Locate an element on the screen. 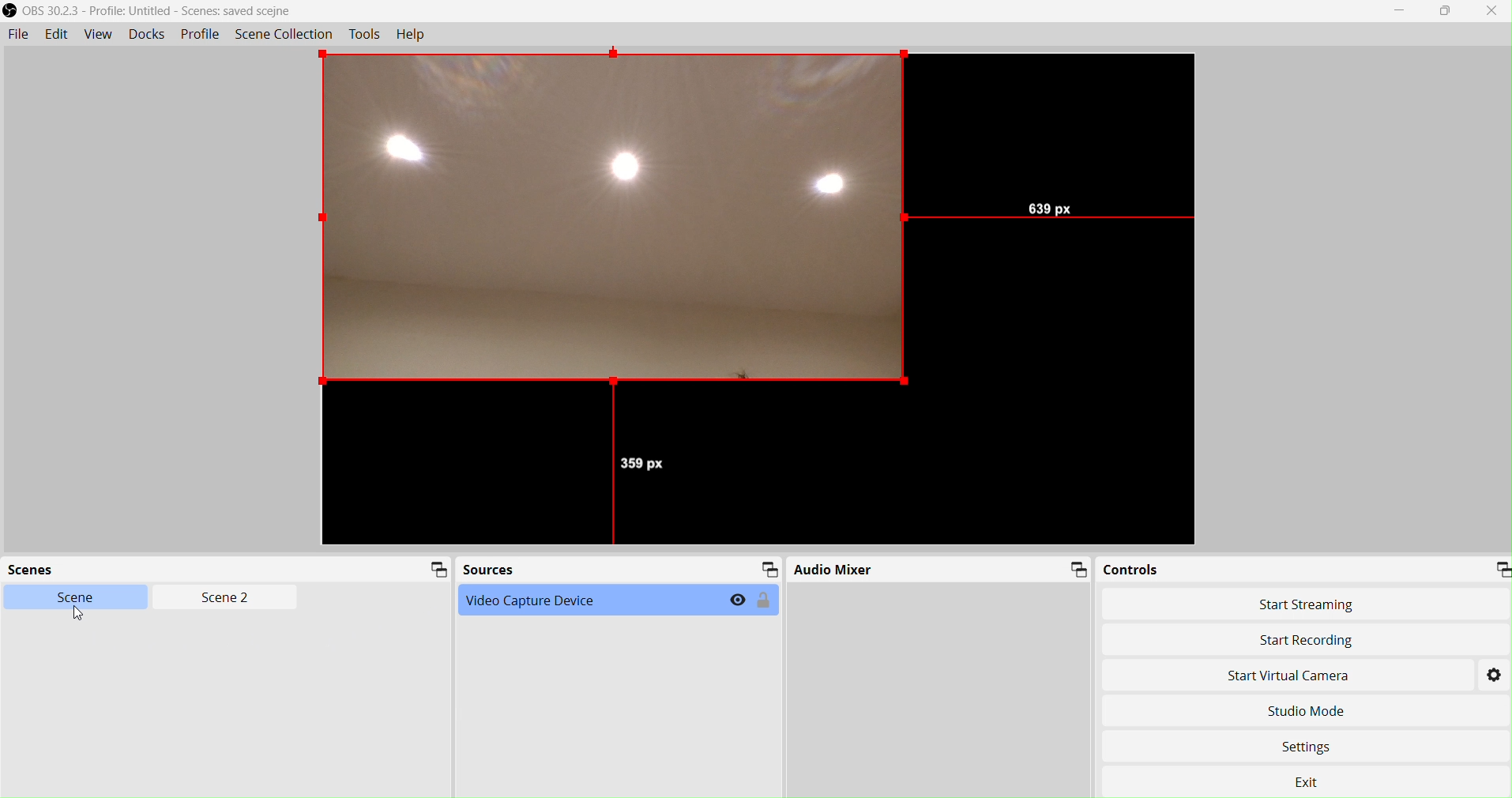 This screenshot has width=1512, height=798. Scen2 is located at coordinates (222, 599).